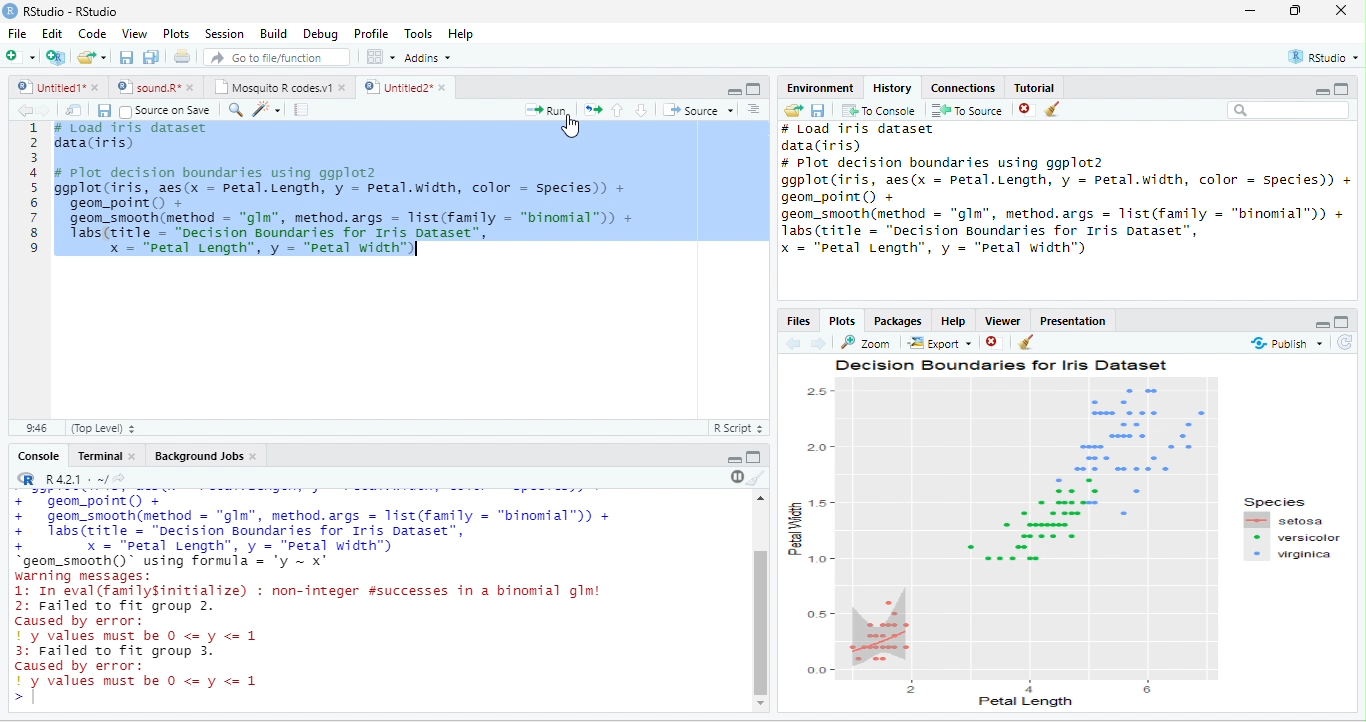 This screenshot has width=1366, height=722. I want to click on RStudio, so click(1324, 57).